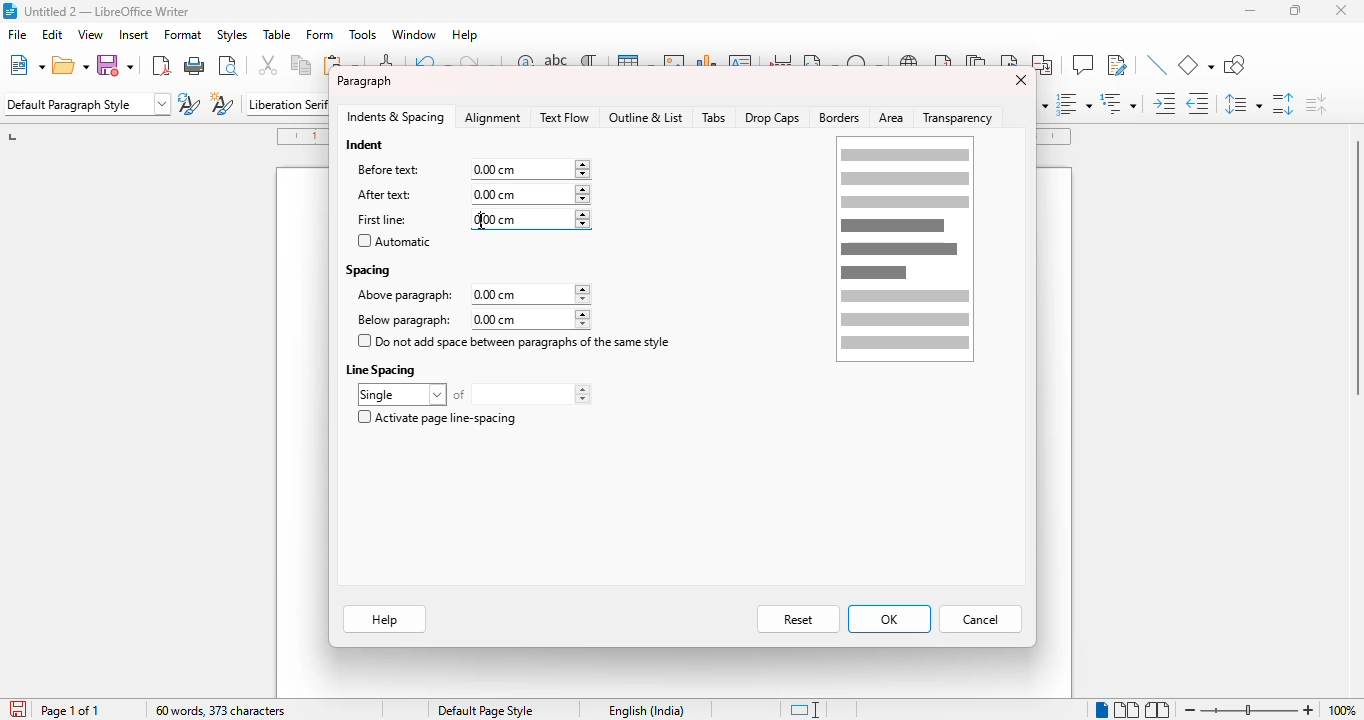 The image size is (1364, 720). Describe the element at coordinates (70, 711) in the screenshot. I see `page 1 of 1` at that location.